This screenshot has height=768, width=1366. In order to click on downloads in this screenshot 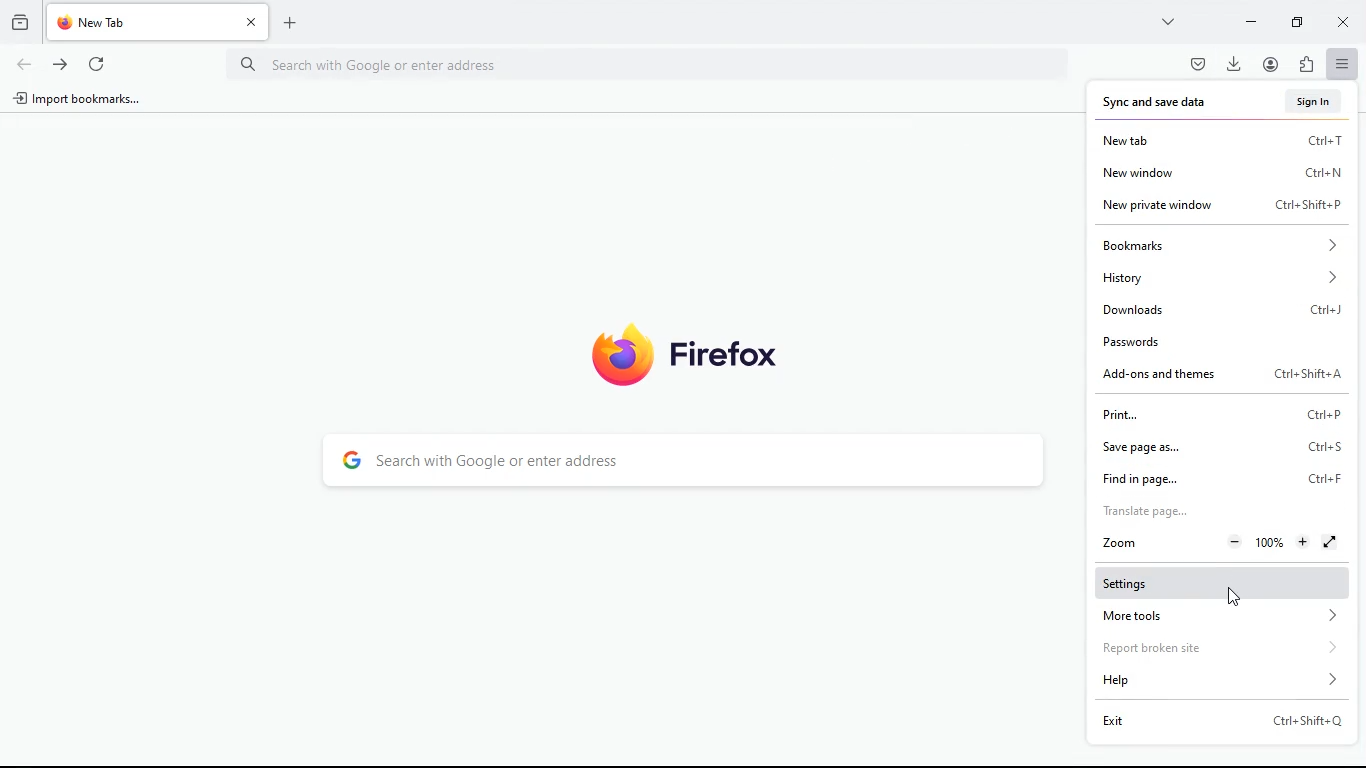, I will do `click(1217, 307)`.